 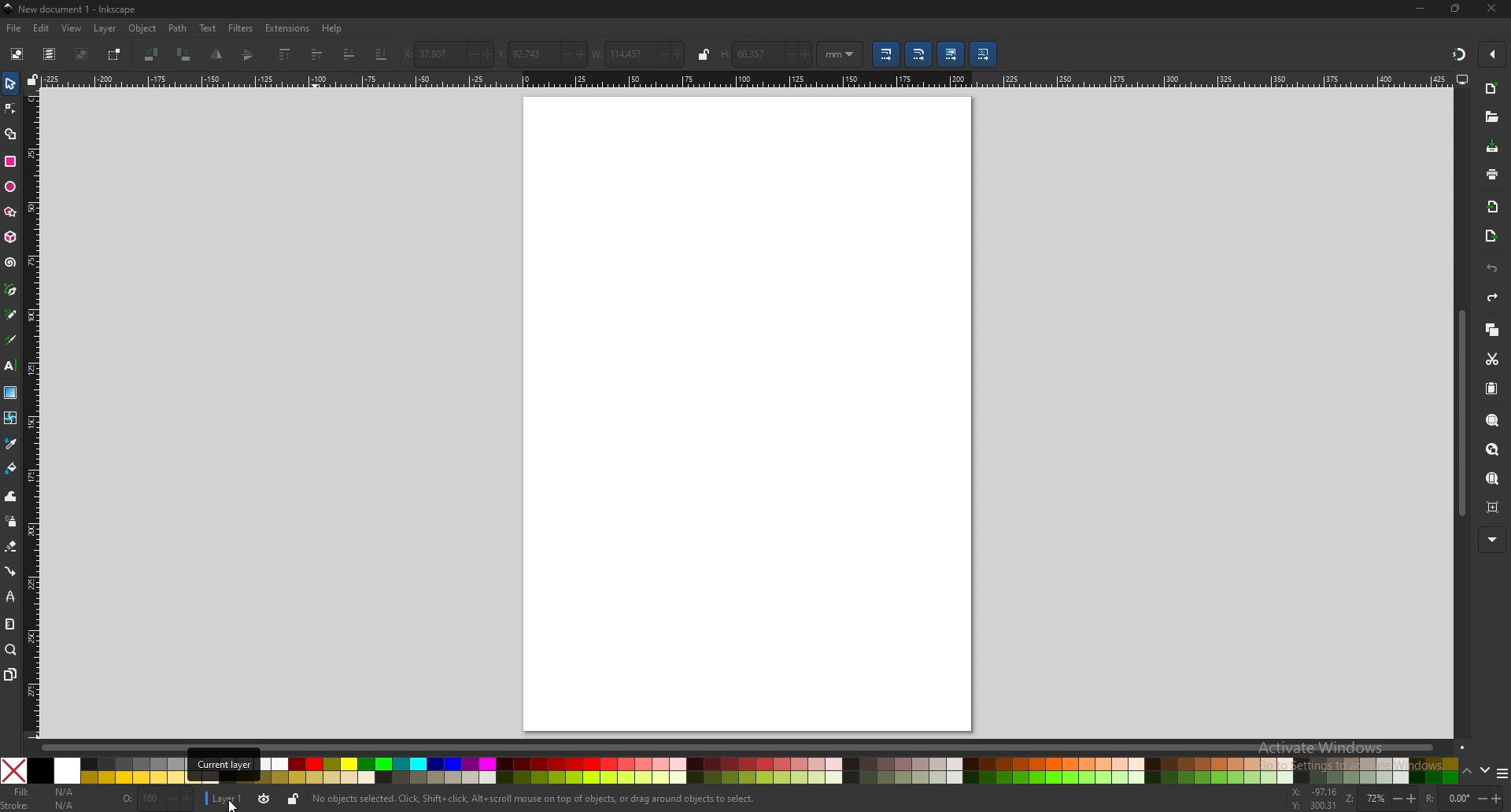 What do you see at coordinates (1492, 88) in the screenshot?
I see `new` at bounding box center [1492, 88].